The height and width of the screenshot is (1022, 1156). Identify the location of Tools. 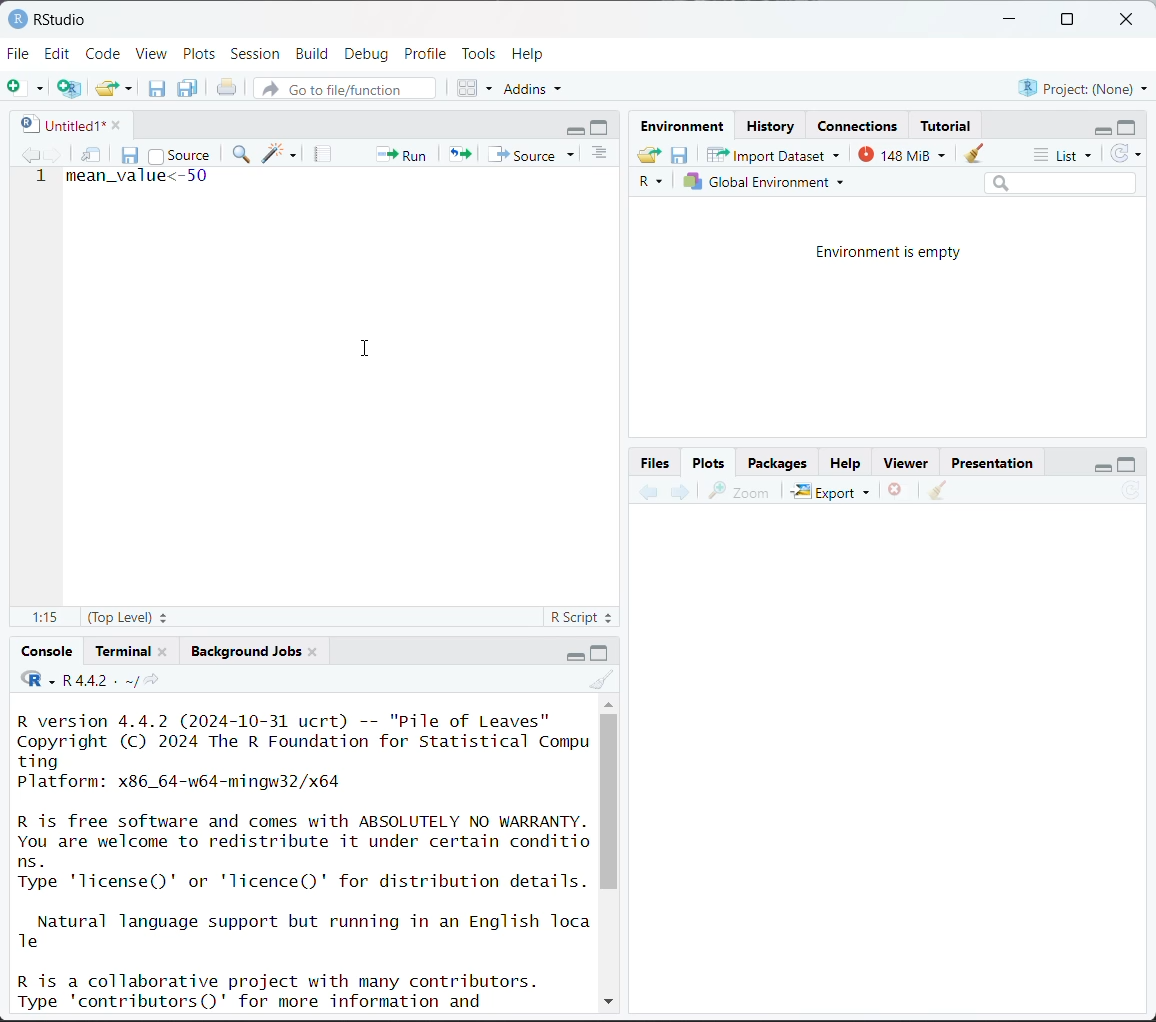
(479, 52).